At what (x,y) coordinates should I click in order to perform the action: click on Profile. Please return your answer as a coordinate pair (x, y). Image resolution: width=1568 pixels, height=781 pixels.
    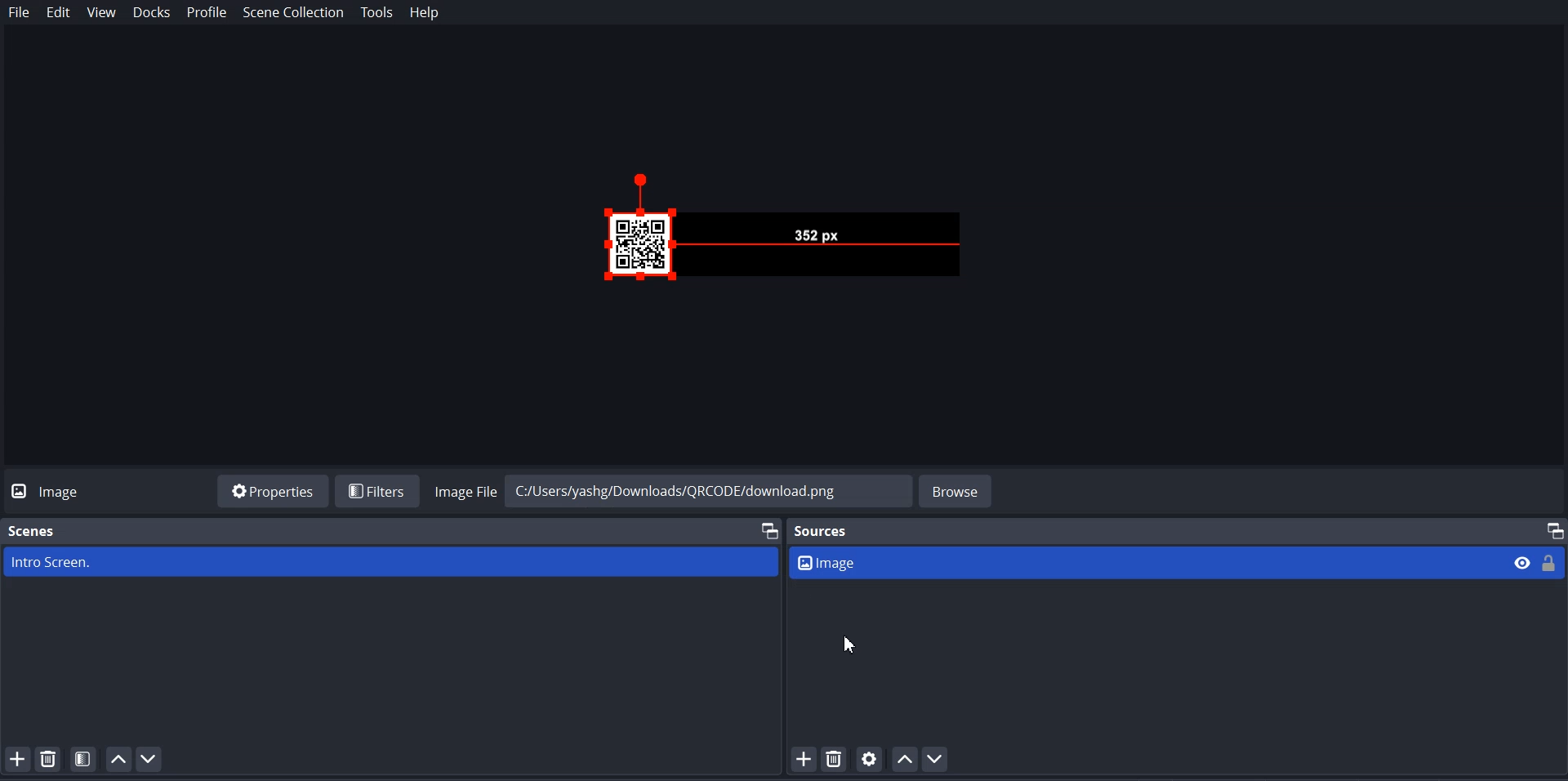
    Looking at the image, I should click on (207, 13).